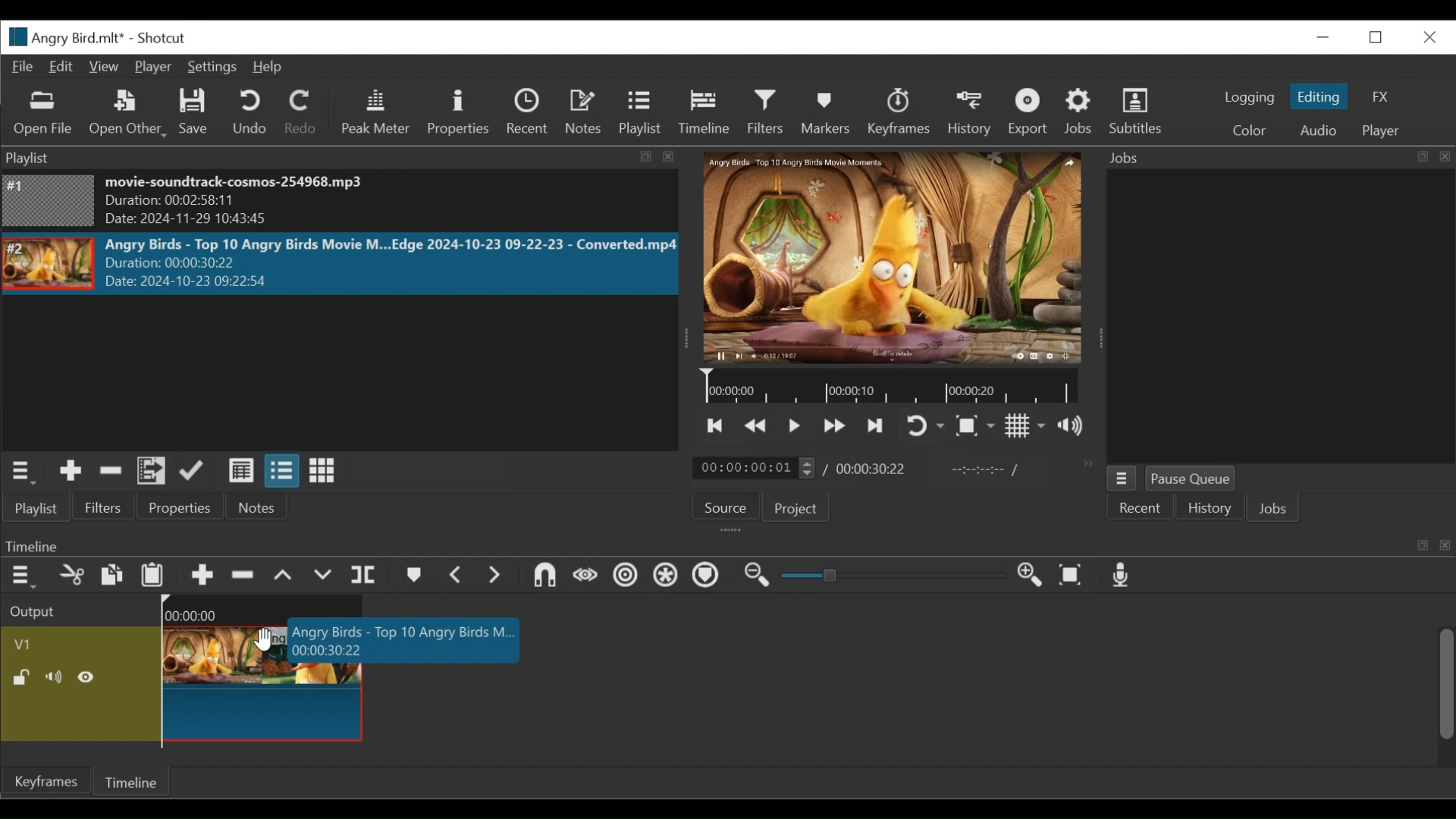  What do you see at coordinates (56, 676) in the screenshot?
I see `Mute` at bounding box center [56, 676].